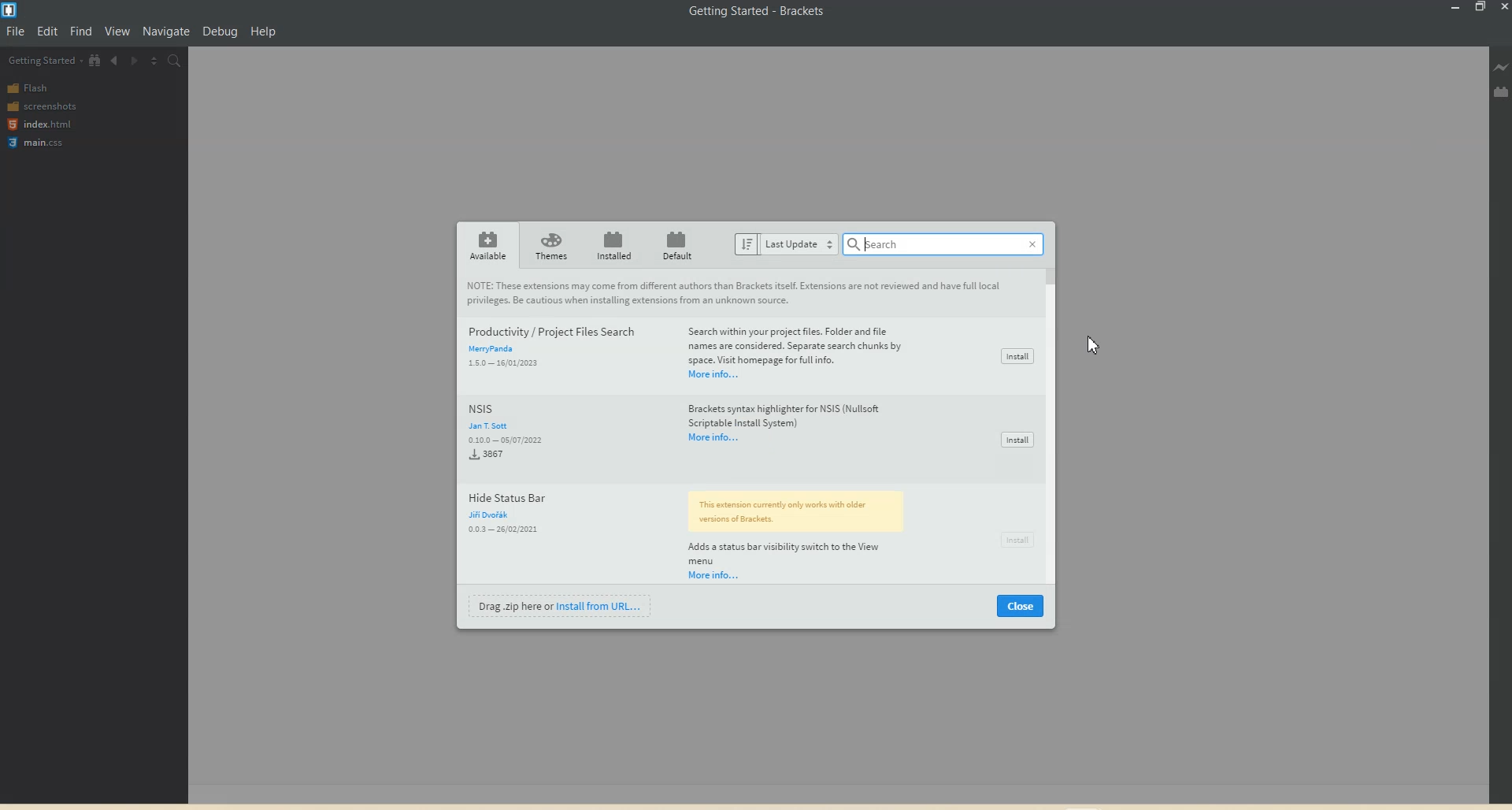 The width and height of the screenshot is (1512, 810). I want to click on Getting Started, so click(45, 61).